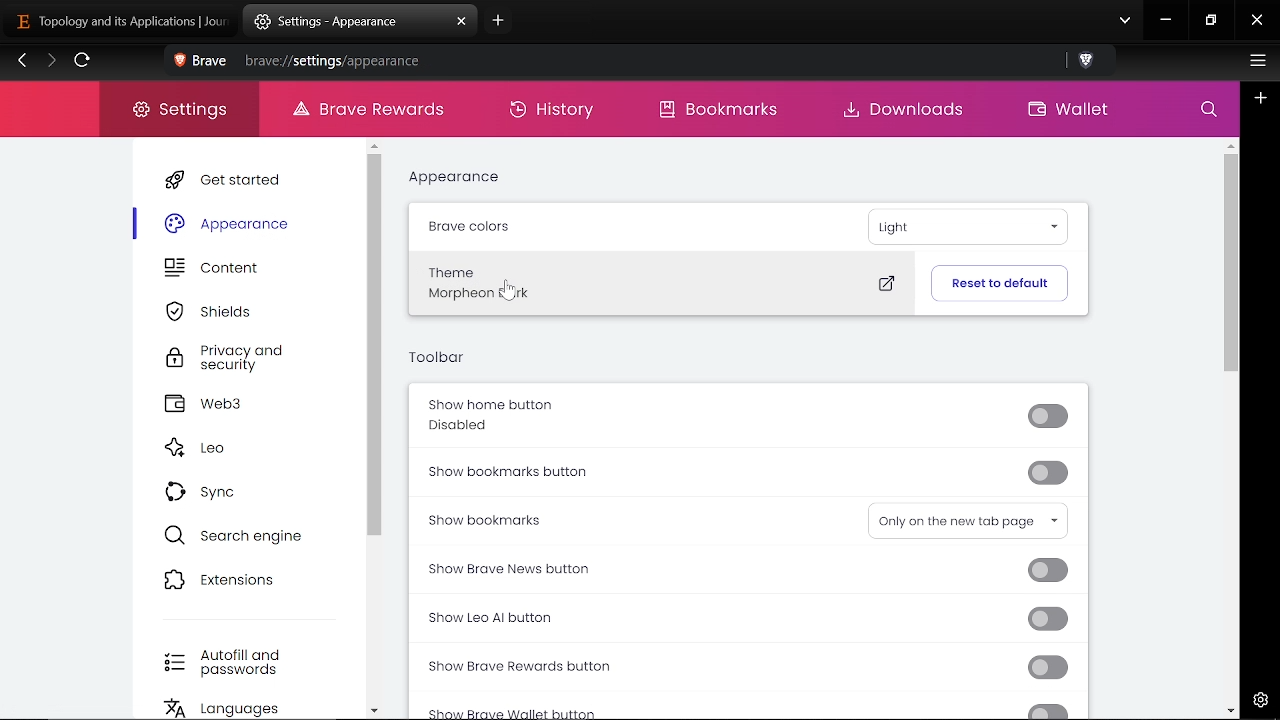 This screenshot has width=1280, height=720. Describe the element at coordinates (441, 357) in the screenshot. I see `Toolbar` at that location.